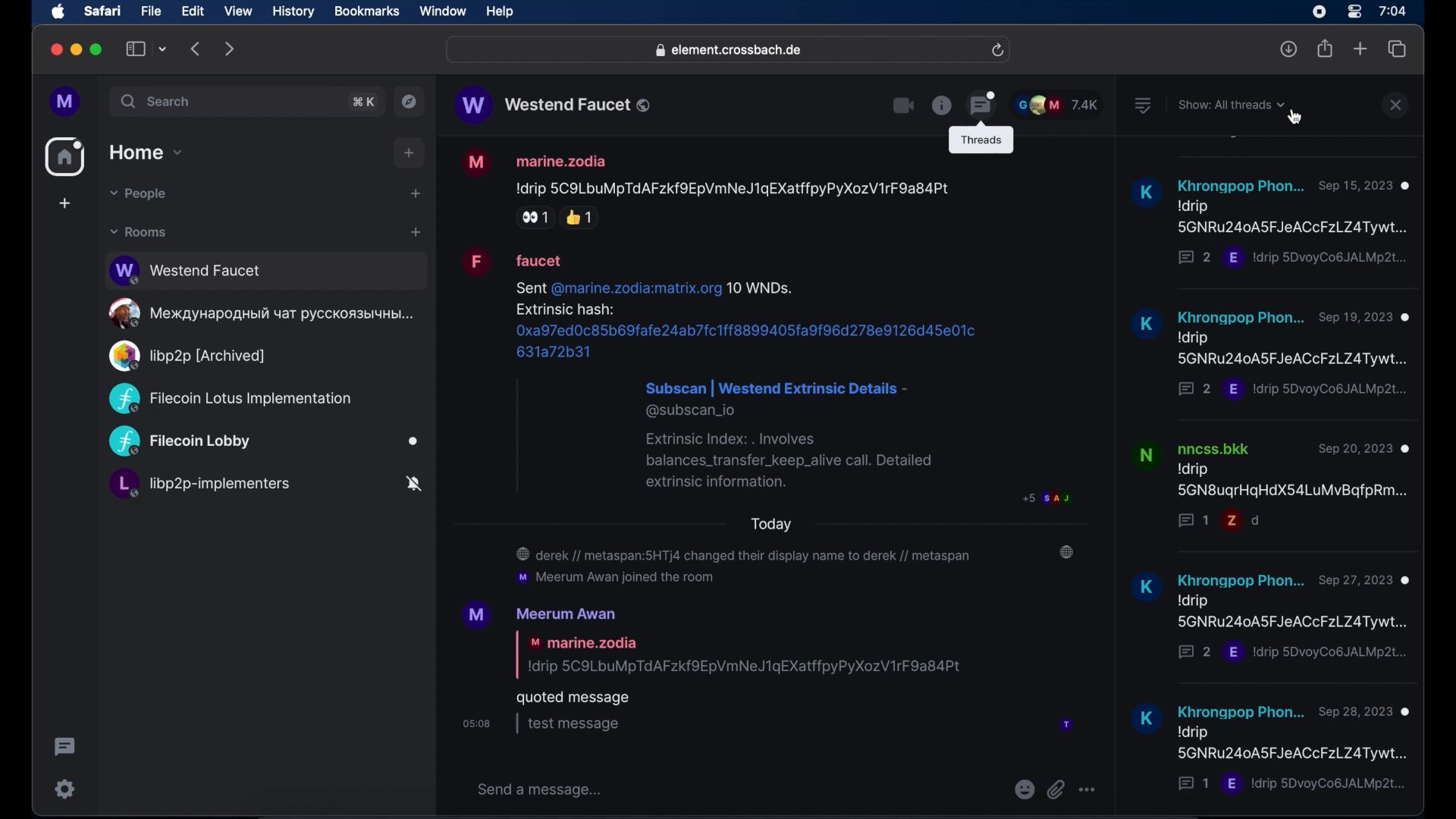 Image resolution: width=1456 pixels, height=819 pixels. Describe the element at coordinates (982, 103) in the screenshot. I see `threads` at that location.